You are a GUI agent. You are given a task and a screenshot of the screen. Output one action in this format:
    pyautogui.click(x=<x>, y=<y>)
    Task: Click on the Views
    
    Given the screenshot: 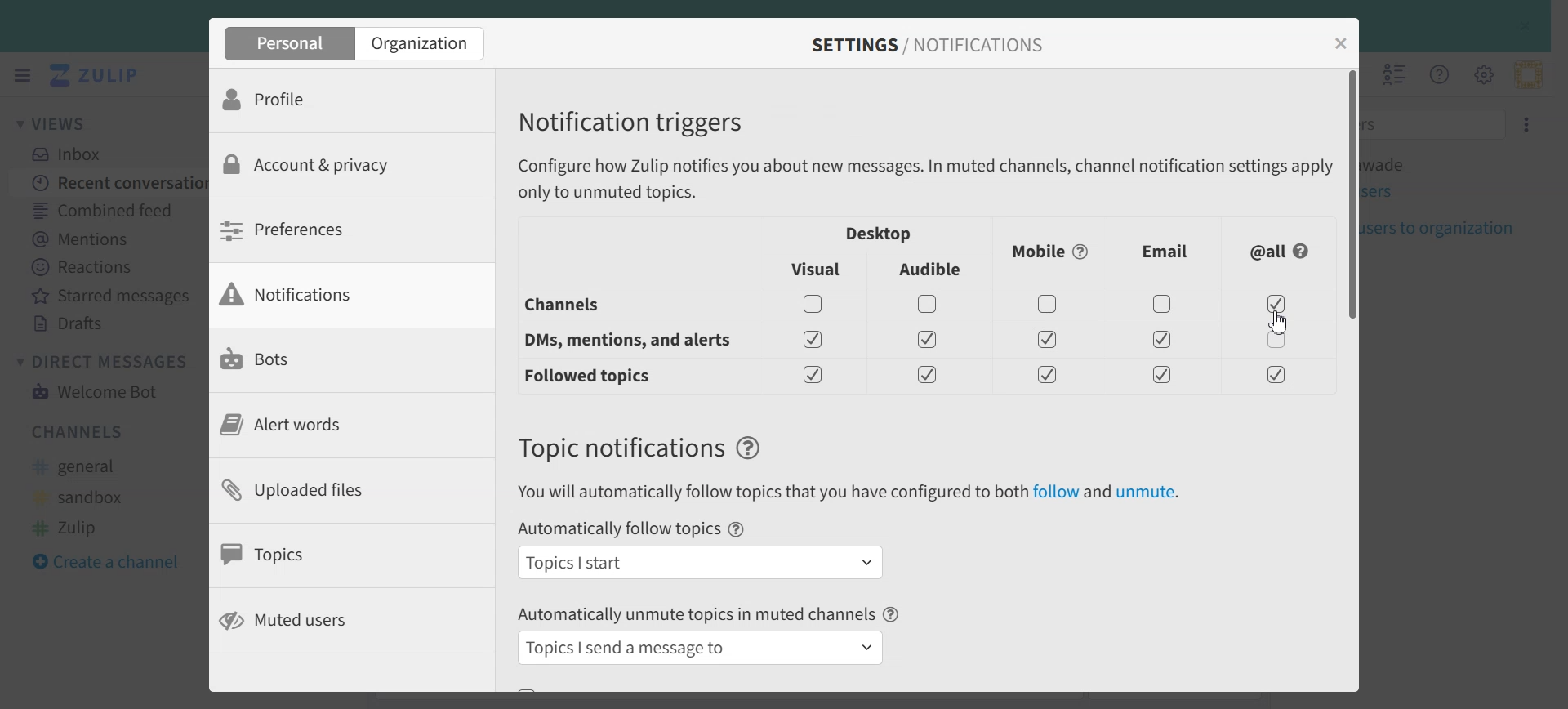 What is the action you would take?
    pyautogui.click(x=60, y=123)
    